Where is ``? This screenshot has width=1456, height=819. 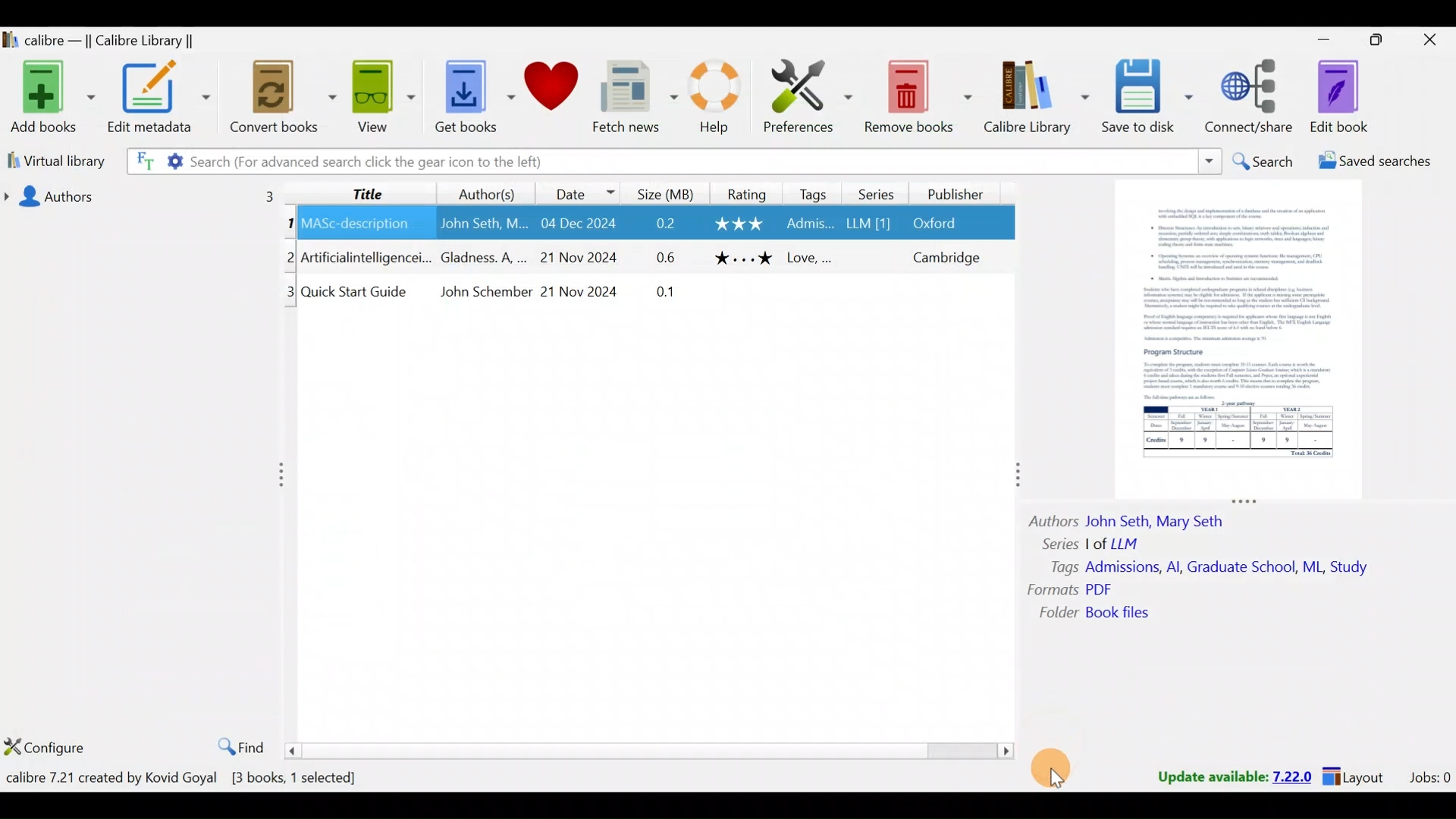  is located at coordinates (587, 291).